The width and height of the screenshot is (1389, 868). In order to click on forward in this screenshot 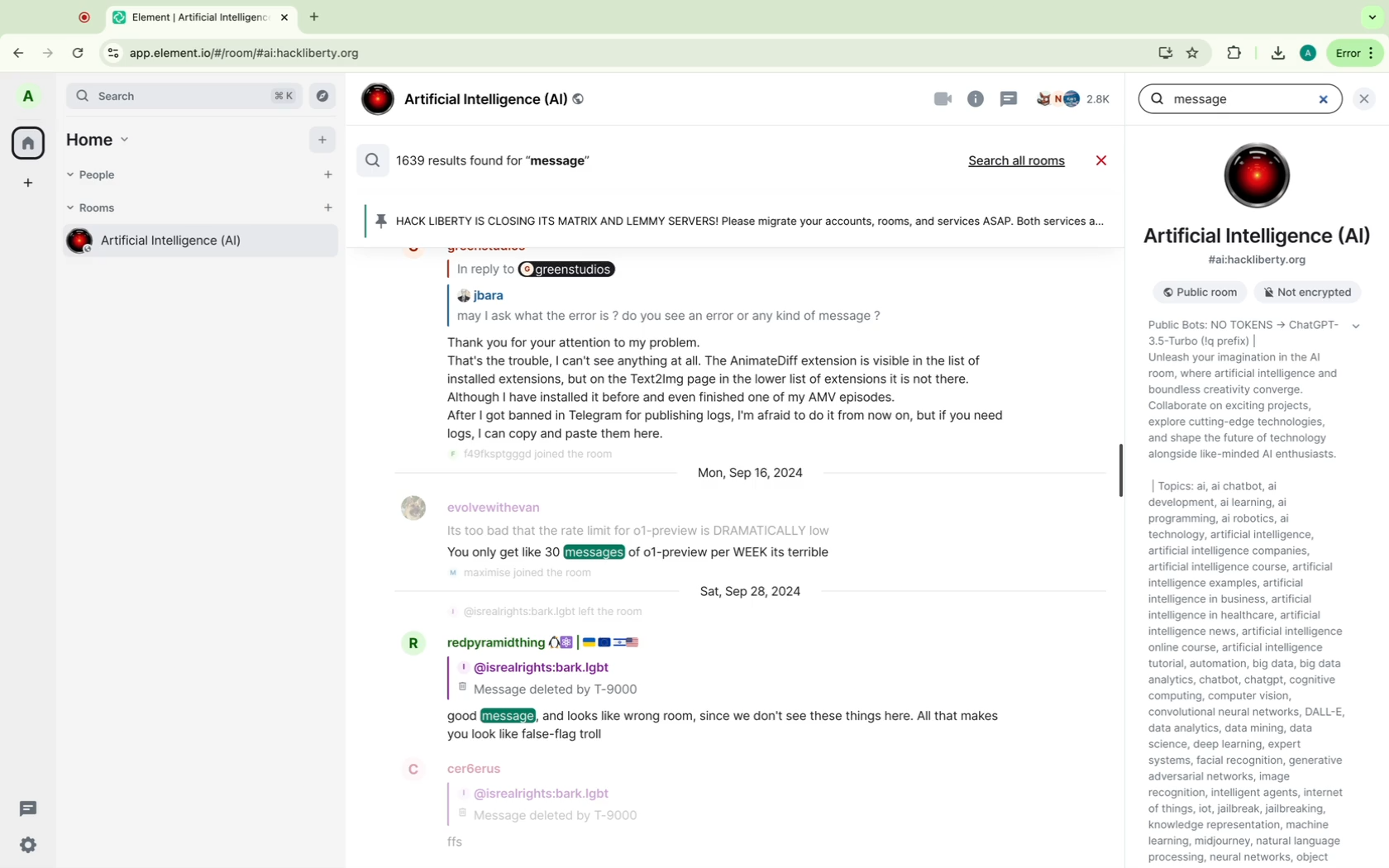, I will do `click(45, 48)`.